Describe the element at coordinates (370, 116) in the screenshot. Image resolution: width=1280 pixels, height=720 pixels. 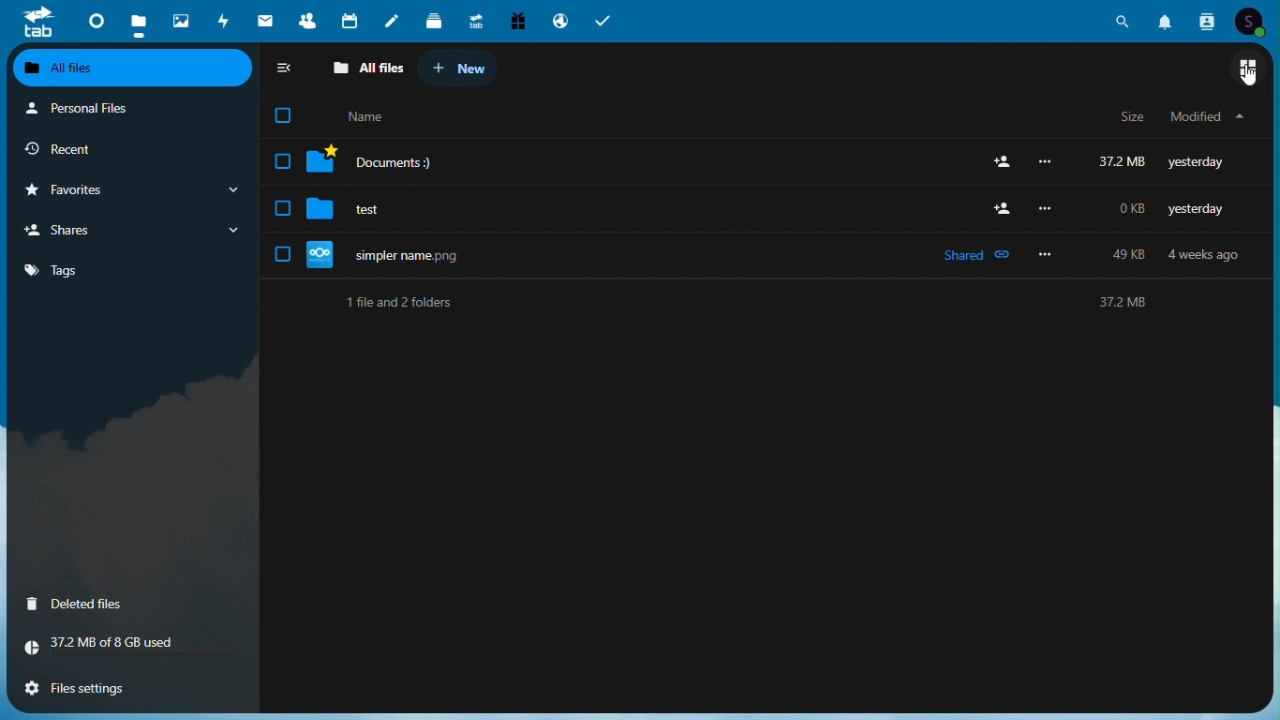
I see `John Smith` at that location.